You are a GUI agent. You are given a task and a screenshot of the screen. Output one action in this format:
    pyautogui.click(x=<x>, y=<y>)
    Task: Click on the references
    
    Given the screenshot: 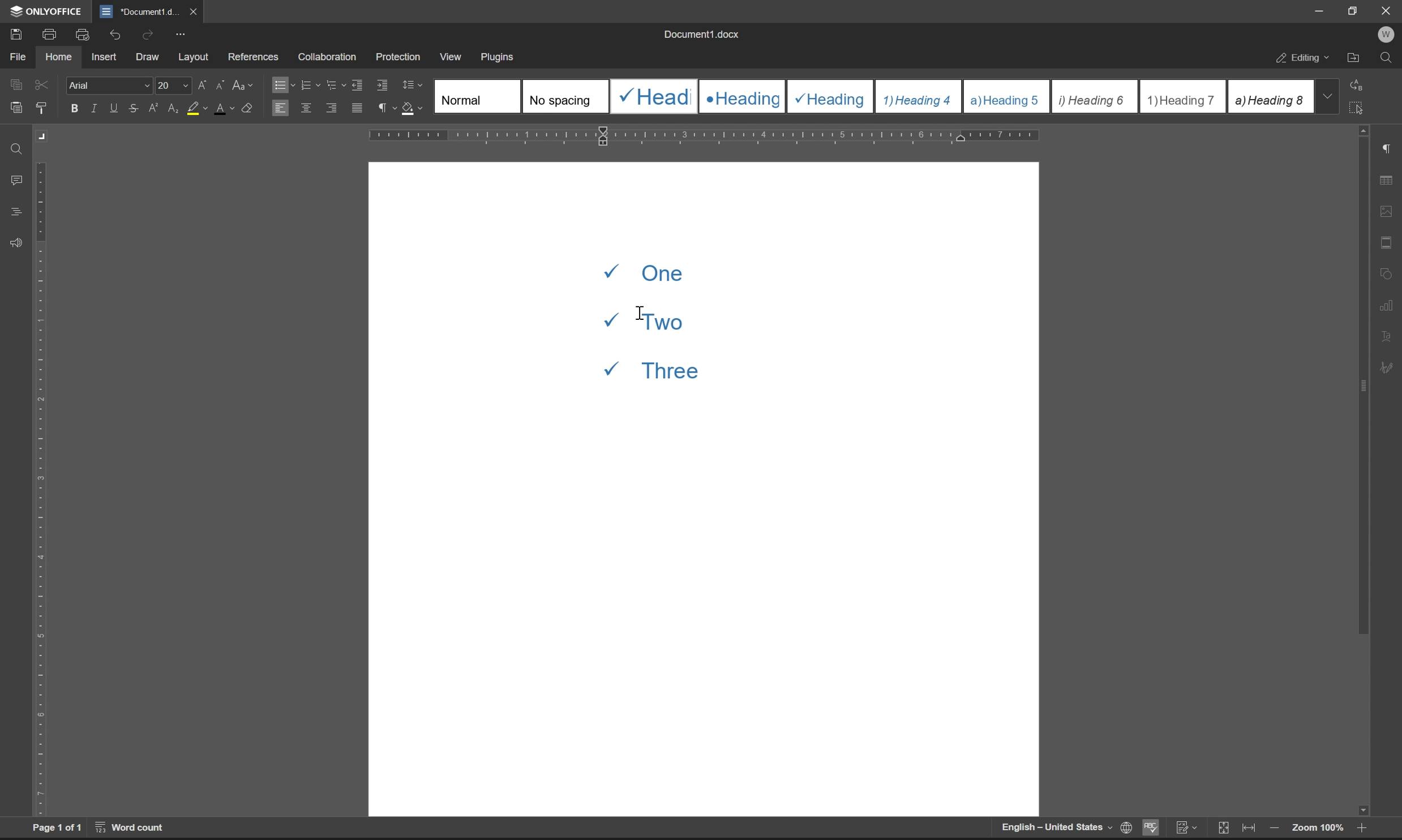 What is the action you would take?
    pyautogui.click(x=254, y=54)
    